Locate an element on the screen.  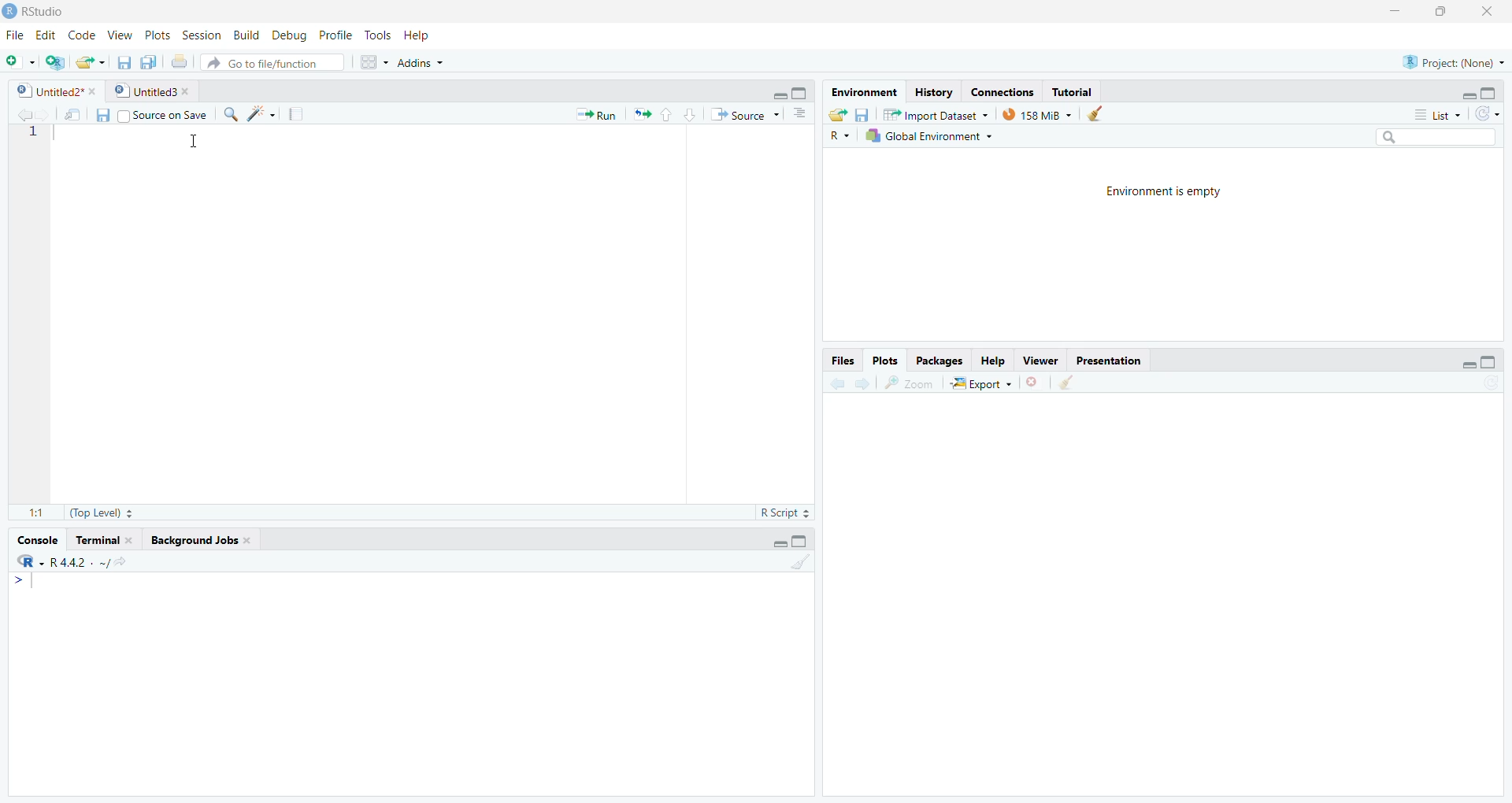
© List + is located at coordinates (1437, 113).